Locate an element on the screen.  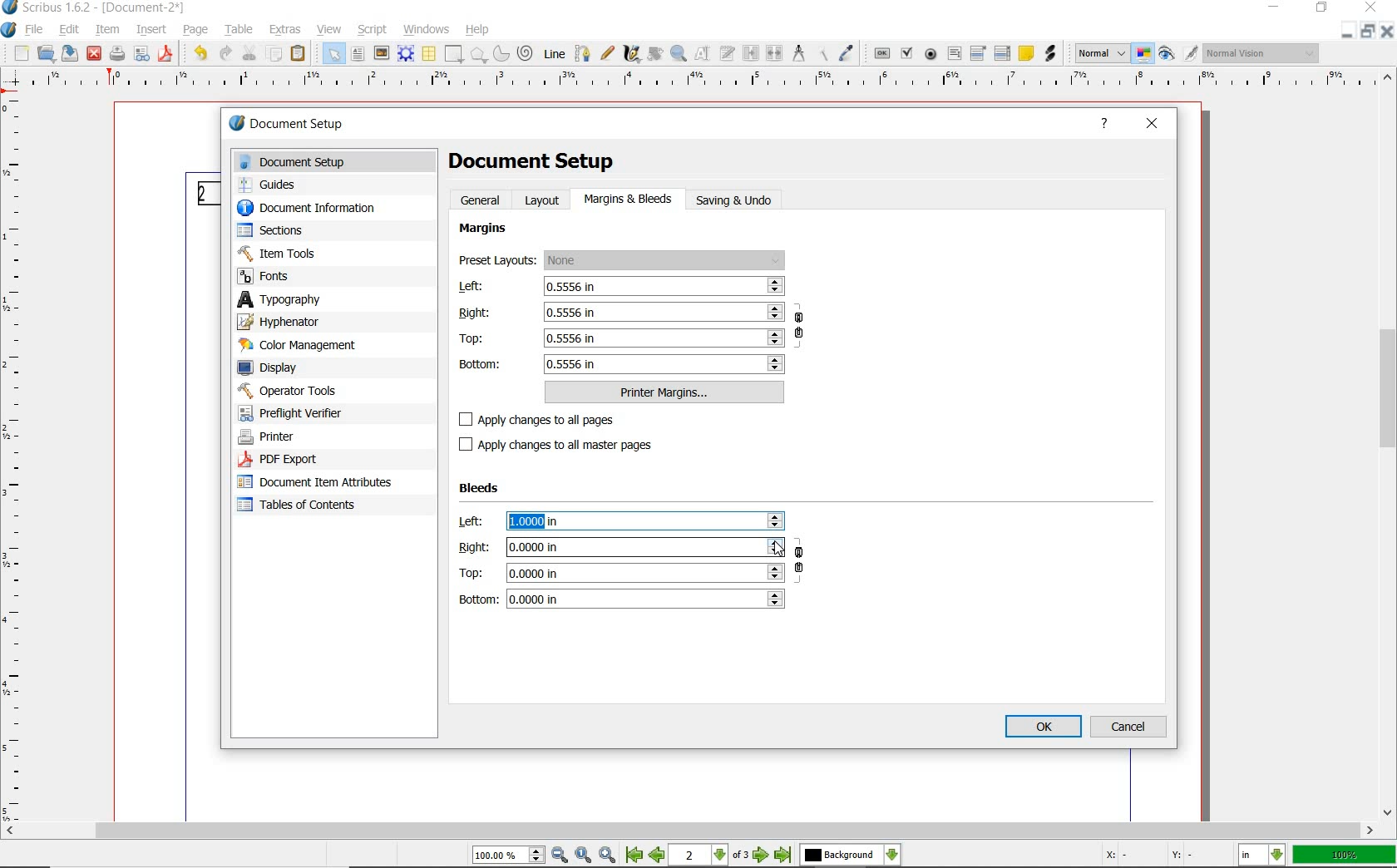
left: 1.0000 in is located at coordinates (621, 521).